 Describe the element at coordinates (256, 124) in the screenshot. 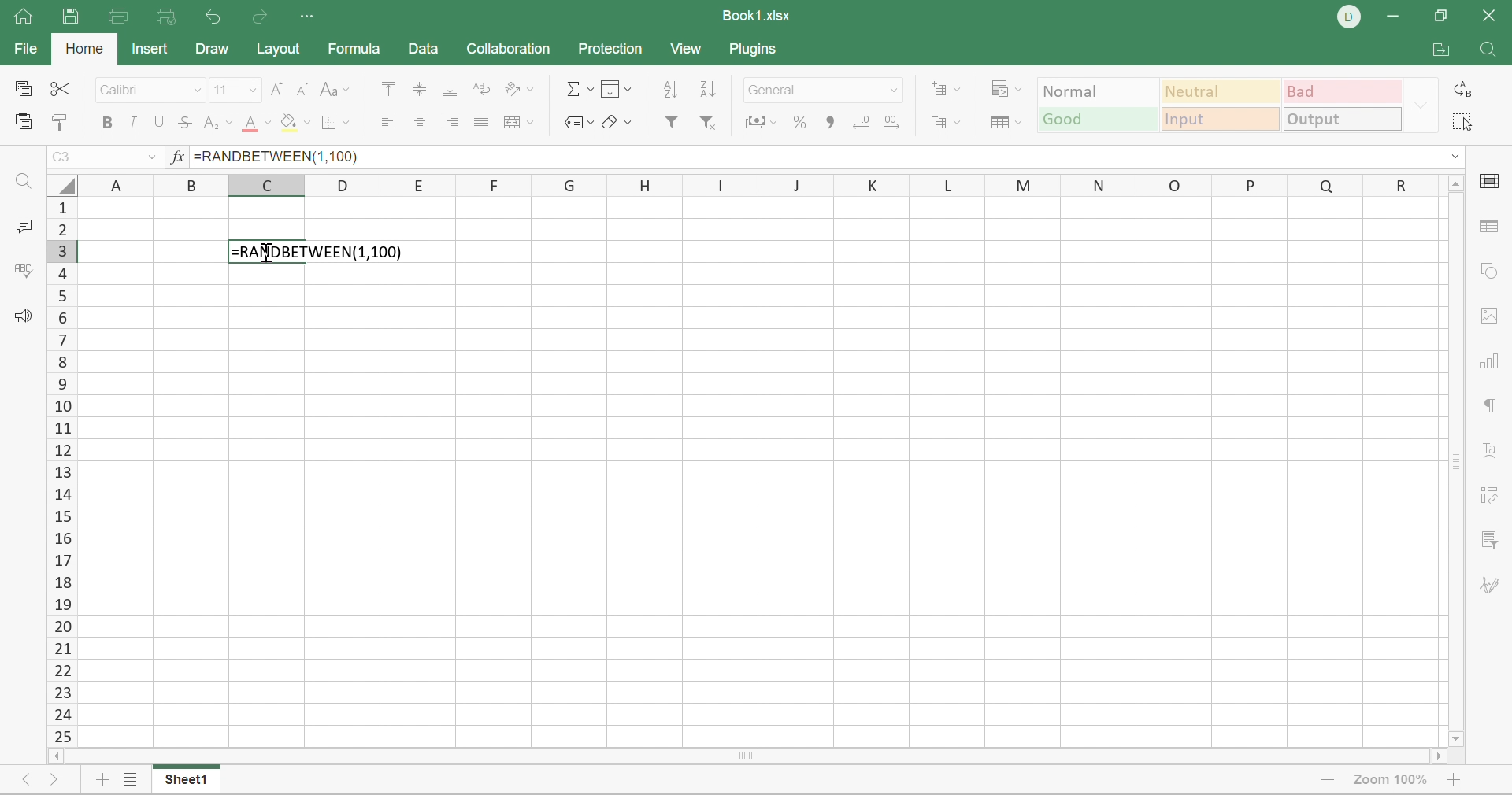

I see `Font color` at that location.